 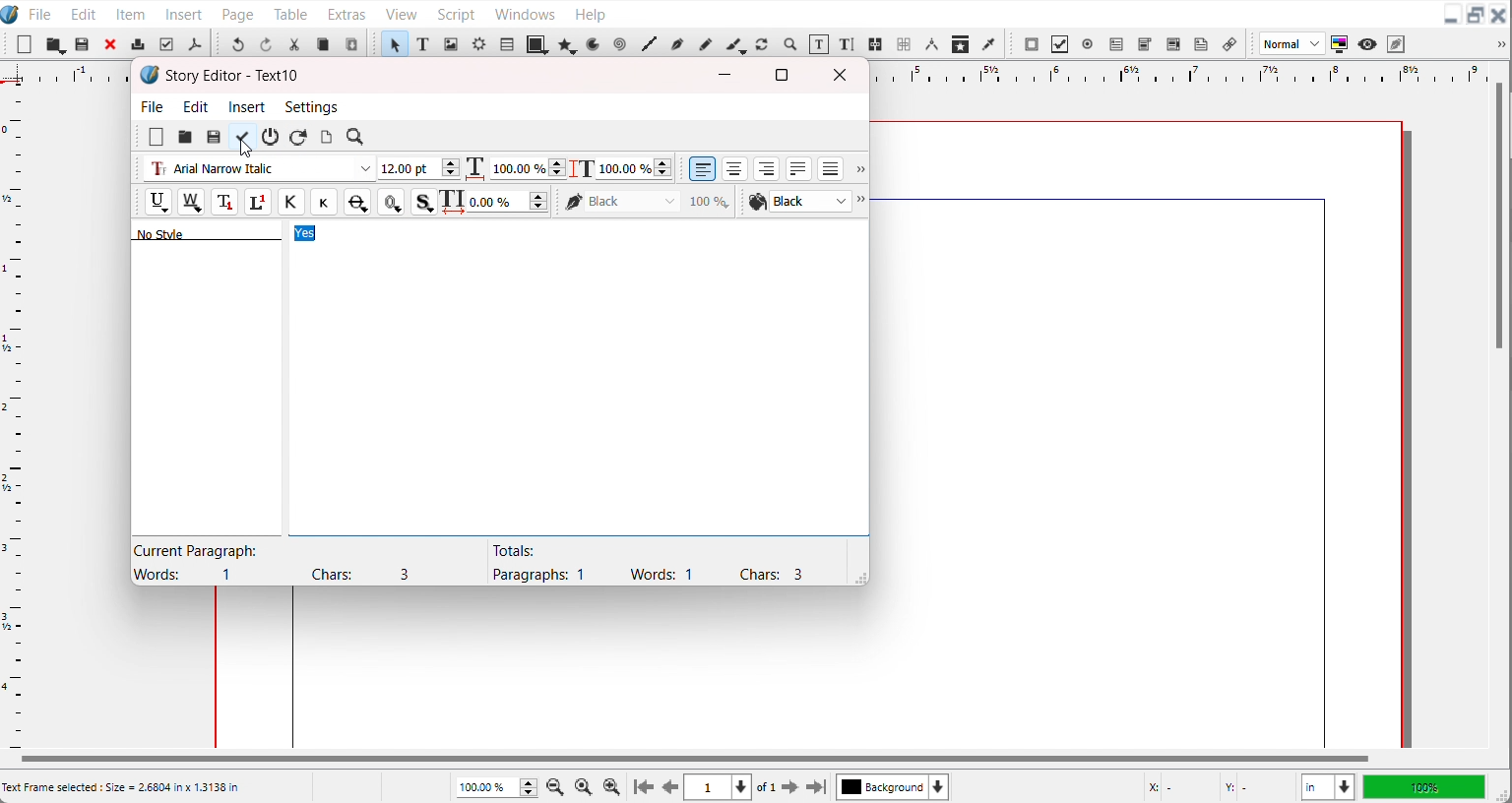 I want to click on Vertical scroll bar, so click(x=1499, y=217).